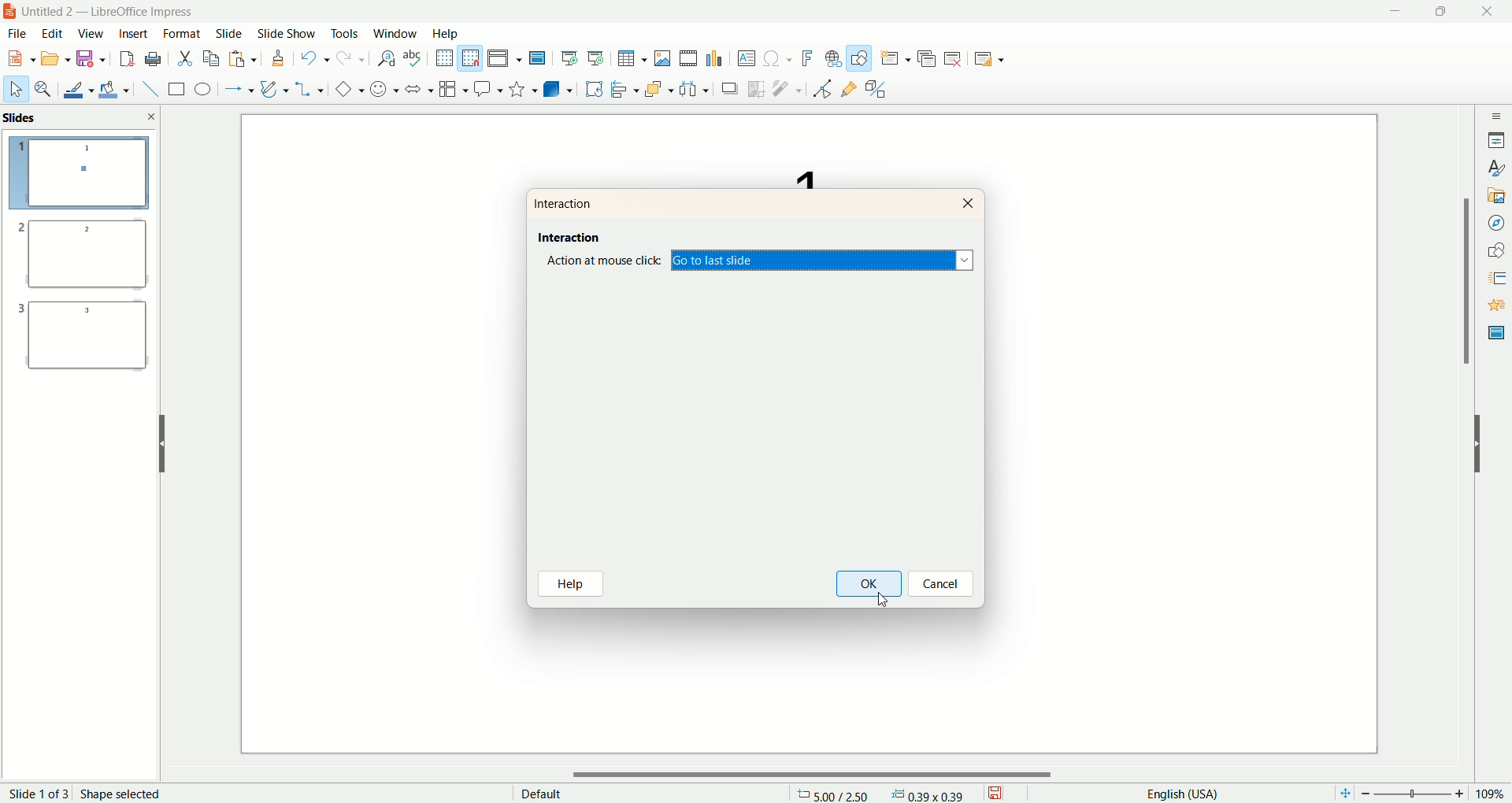 The image size is (1512, 803). Describe the element at coordinates (881, 595) in the screenshot. I see `cursor` at that location.